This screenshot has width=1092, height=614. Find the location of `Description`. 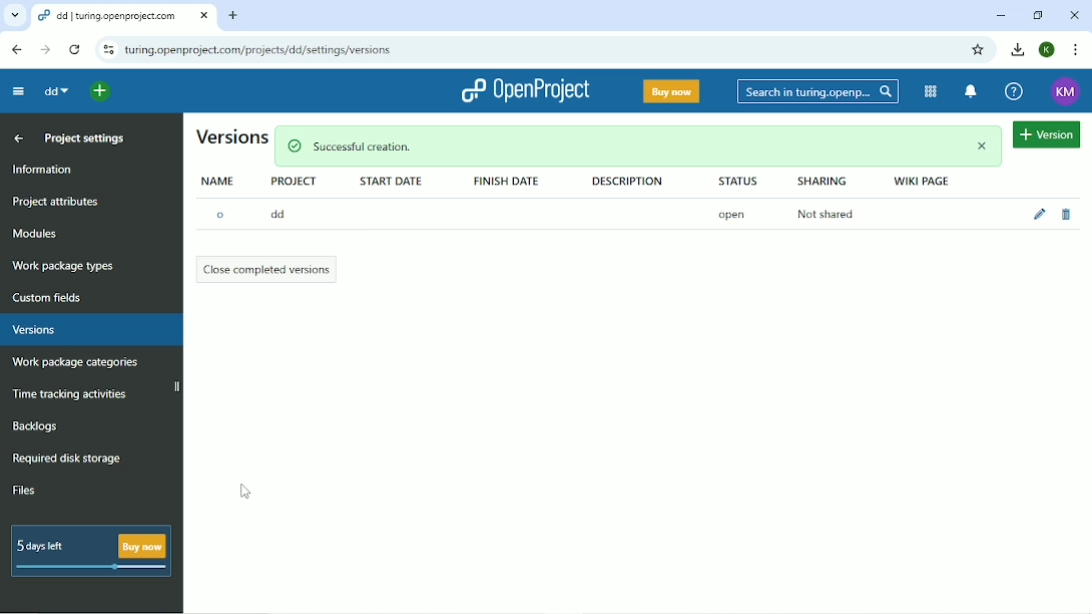

Description is located at coordinates (630, 181).